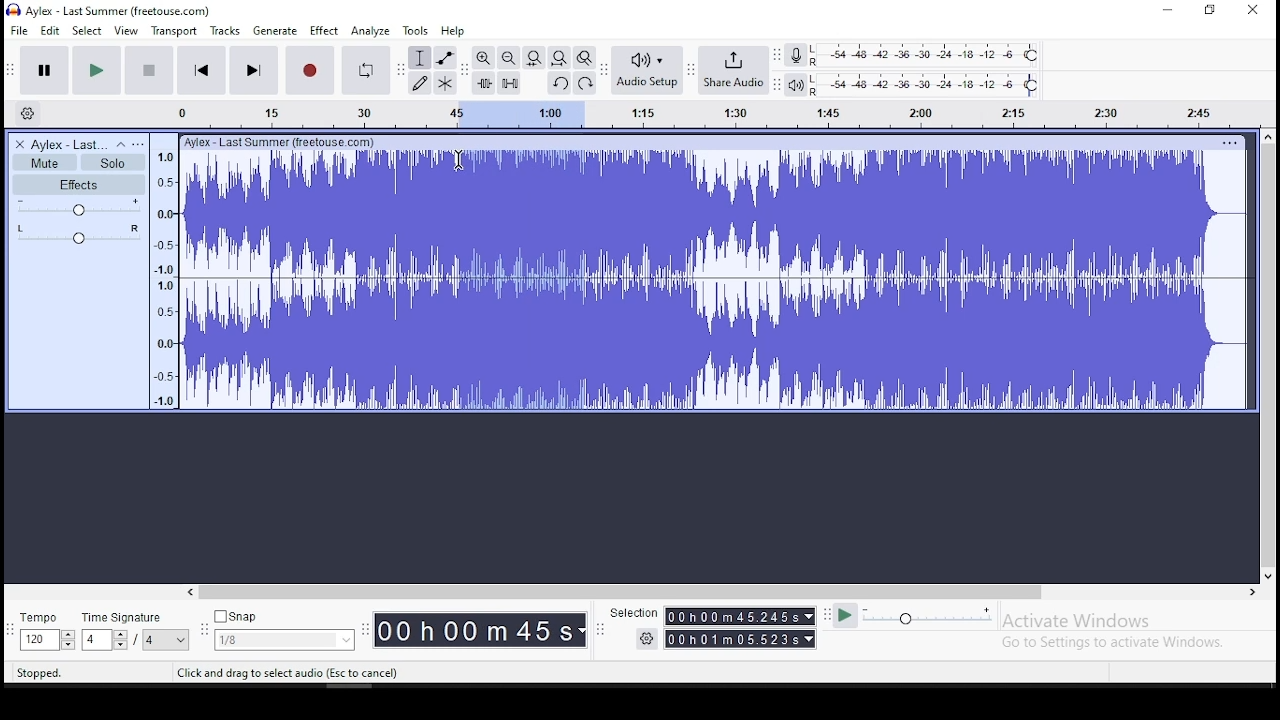  Describe the element at coordinates (97, 69) in the screenshot. I see `play` at that location.